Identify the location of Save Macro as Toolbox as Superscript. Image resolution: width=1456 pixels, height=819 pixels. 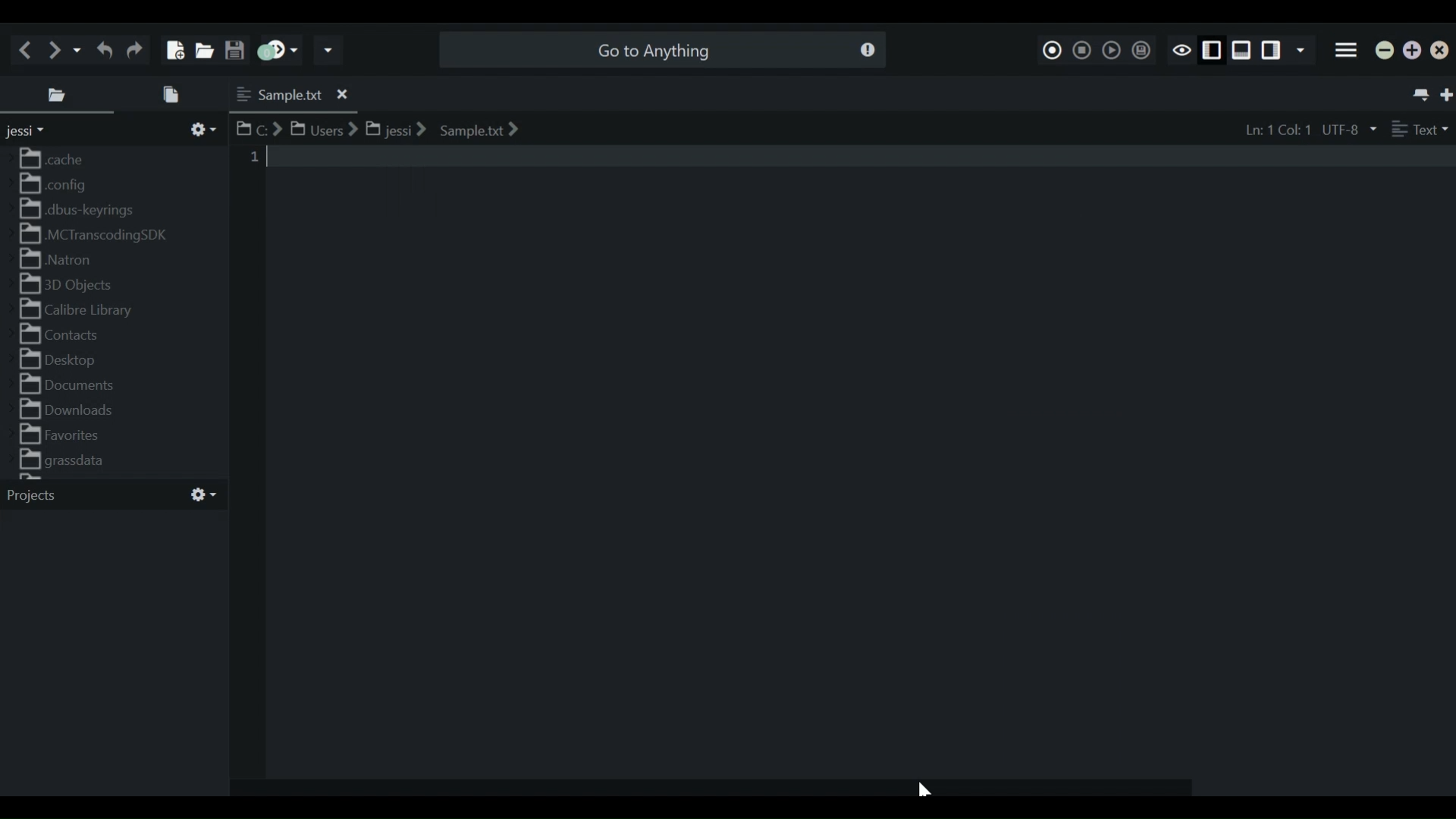
(1141, 50).